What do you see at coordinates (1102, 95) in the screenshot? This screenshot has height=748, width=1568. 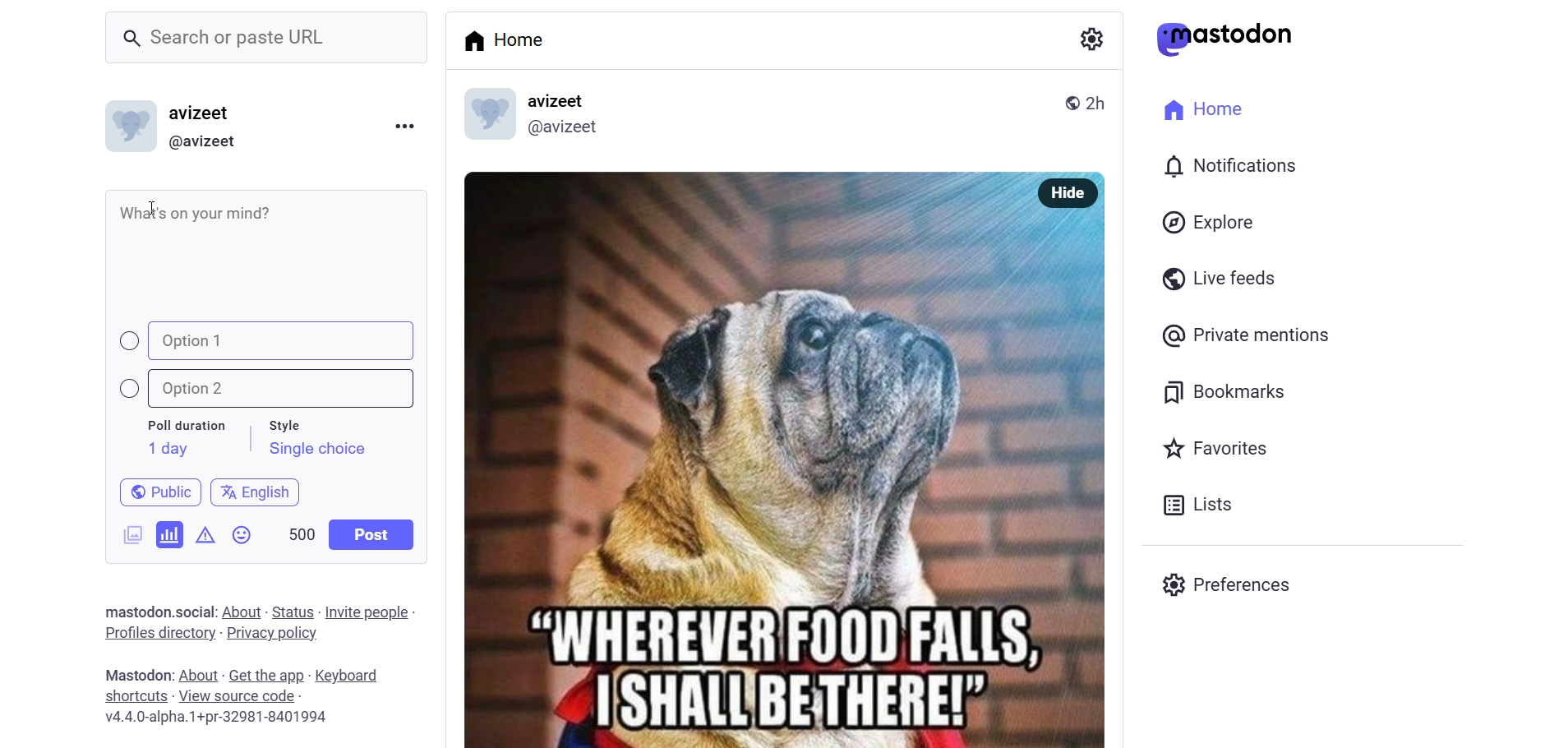 I see `2h` at bounding box center [1102, 95].